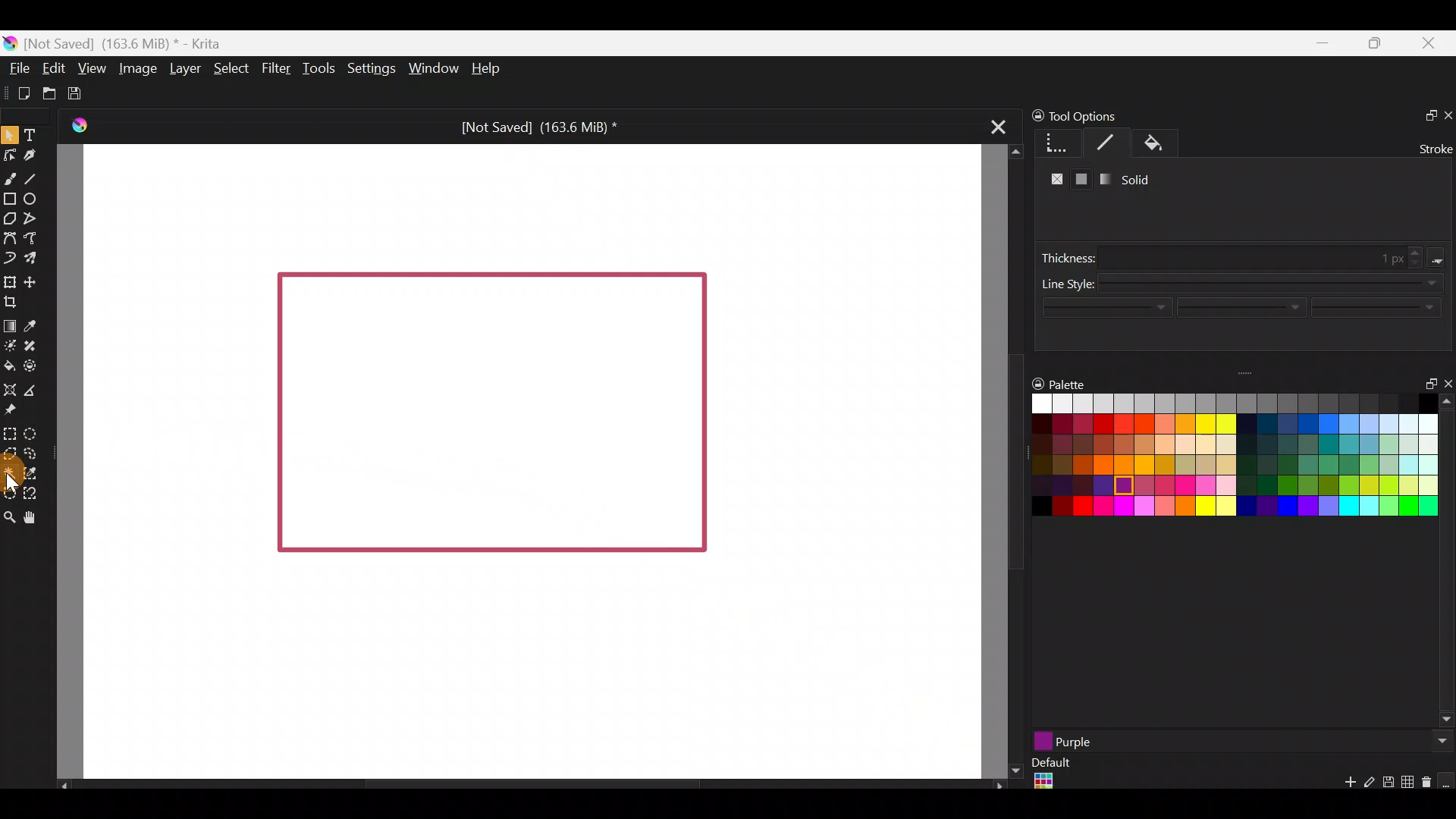 This screenshot has height=819, width=1456. What do you see at coordinates (42, 472) in the screenshot?
I see `Similar colour selection tool` at bounding box center [42, 472].